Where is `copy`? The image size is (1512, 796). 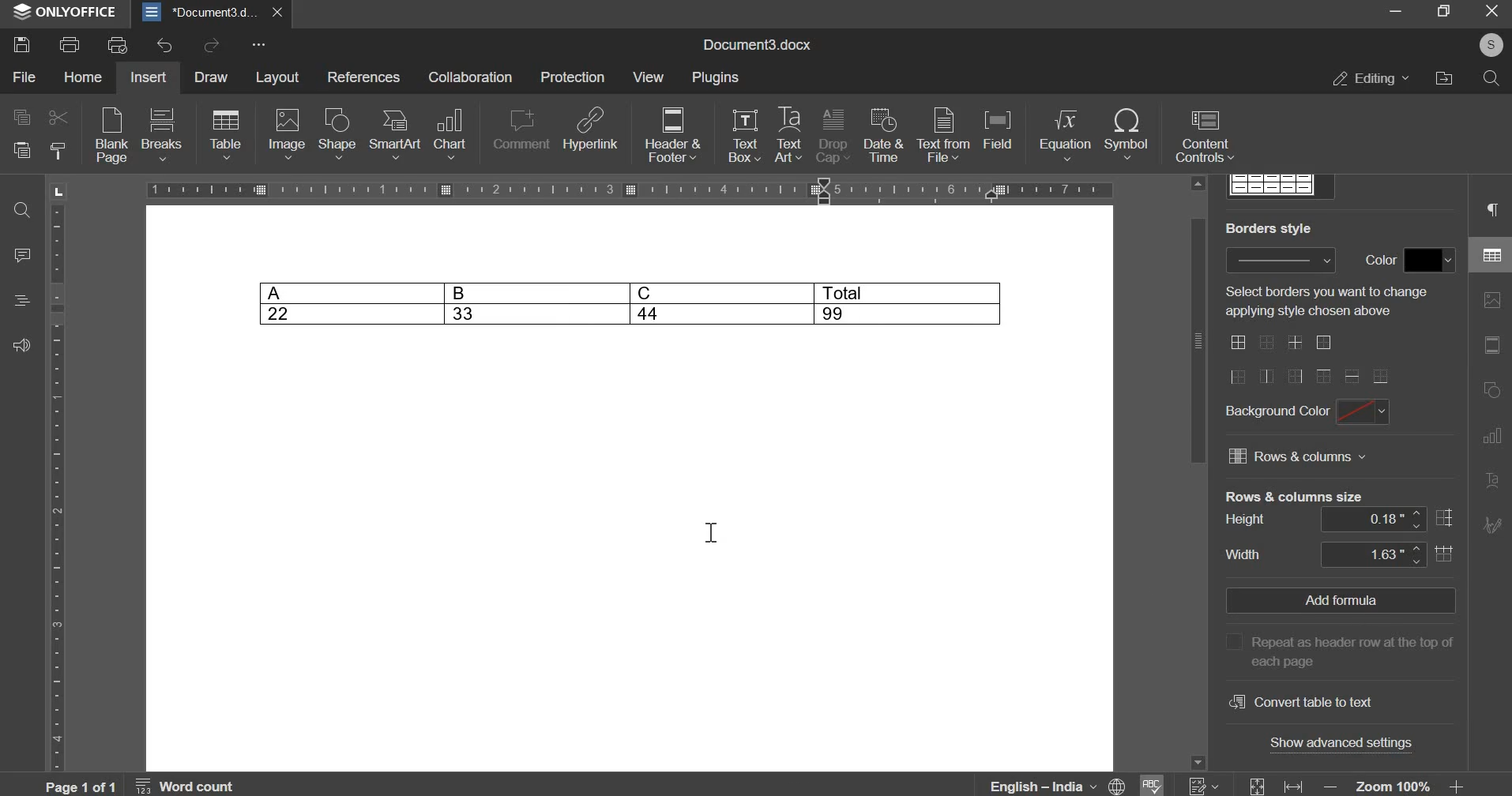 copy is located at coordinates (19, 119).